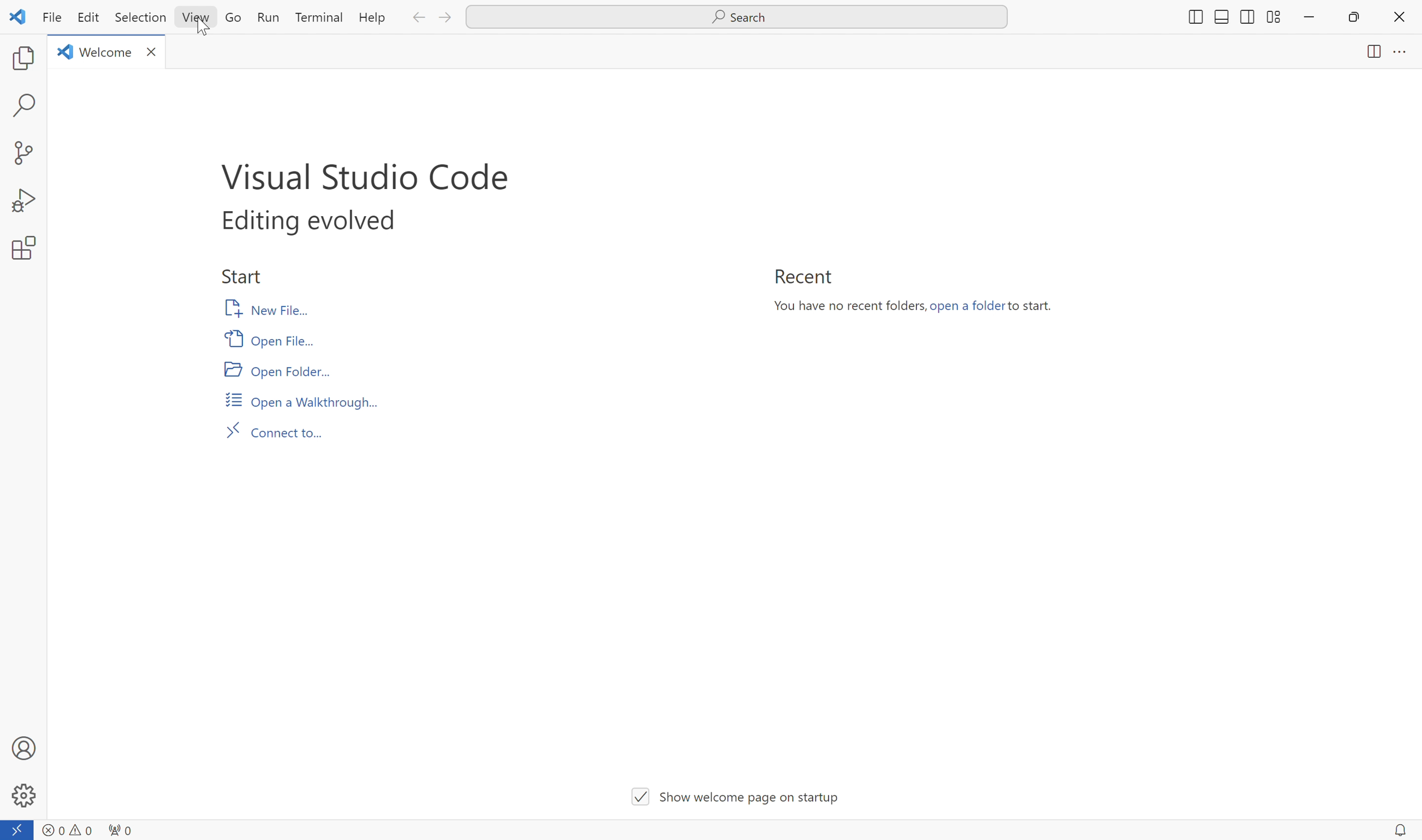  I want to click on restore down, so click(1359, 20).